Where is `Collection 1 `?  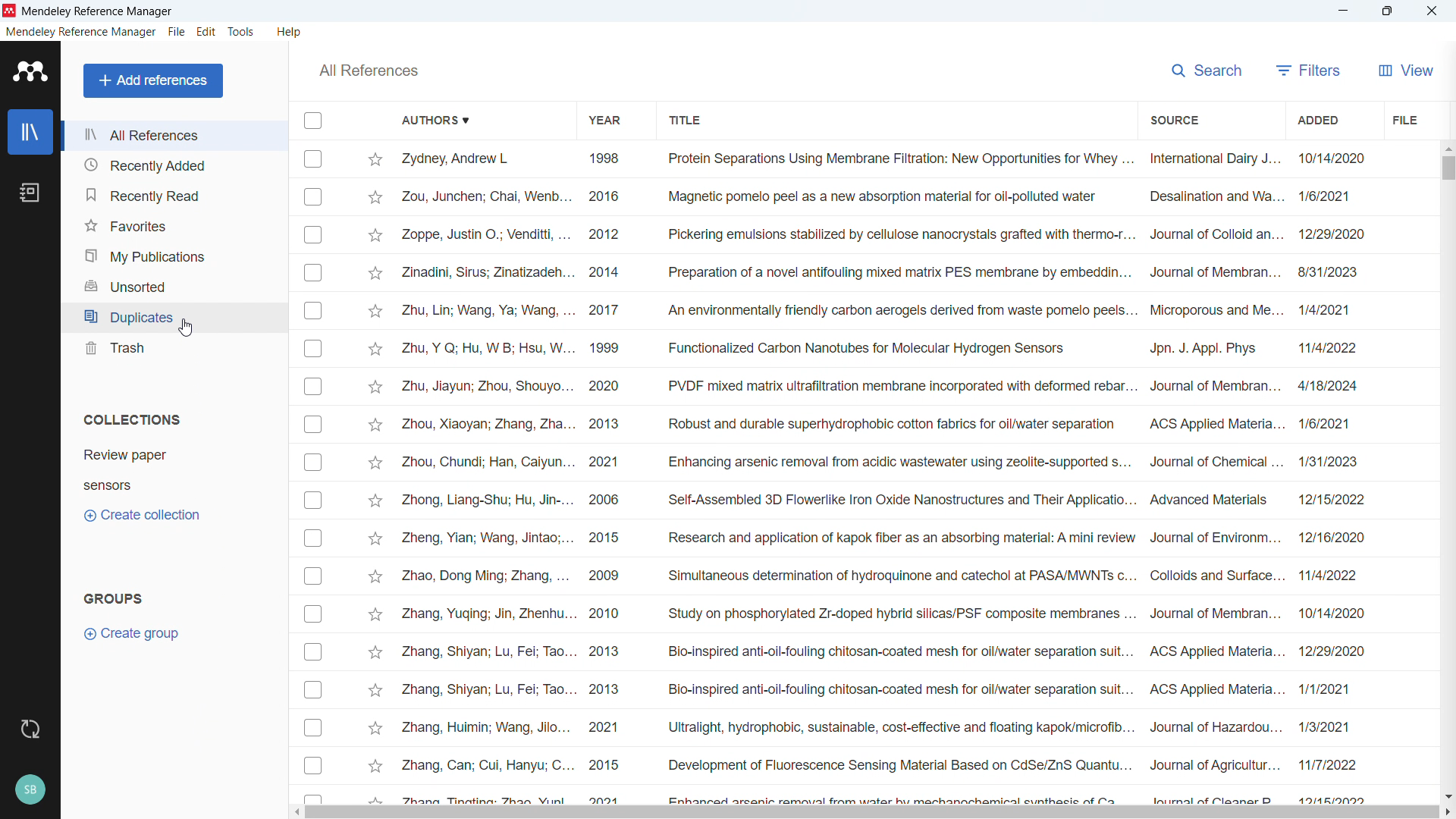 Collection 1  is located at coordinates (127, 455).